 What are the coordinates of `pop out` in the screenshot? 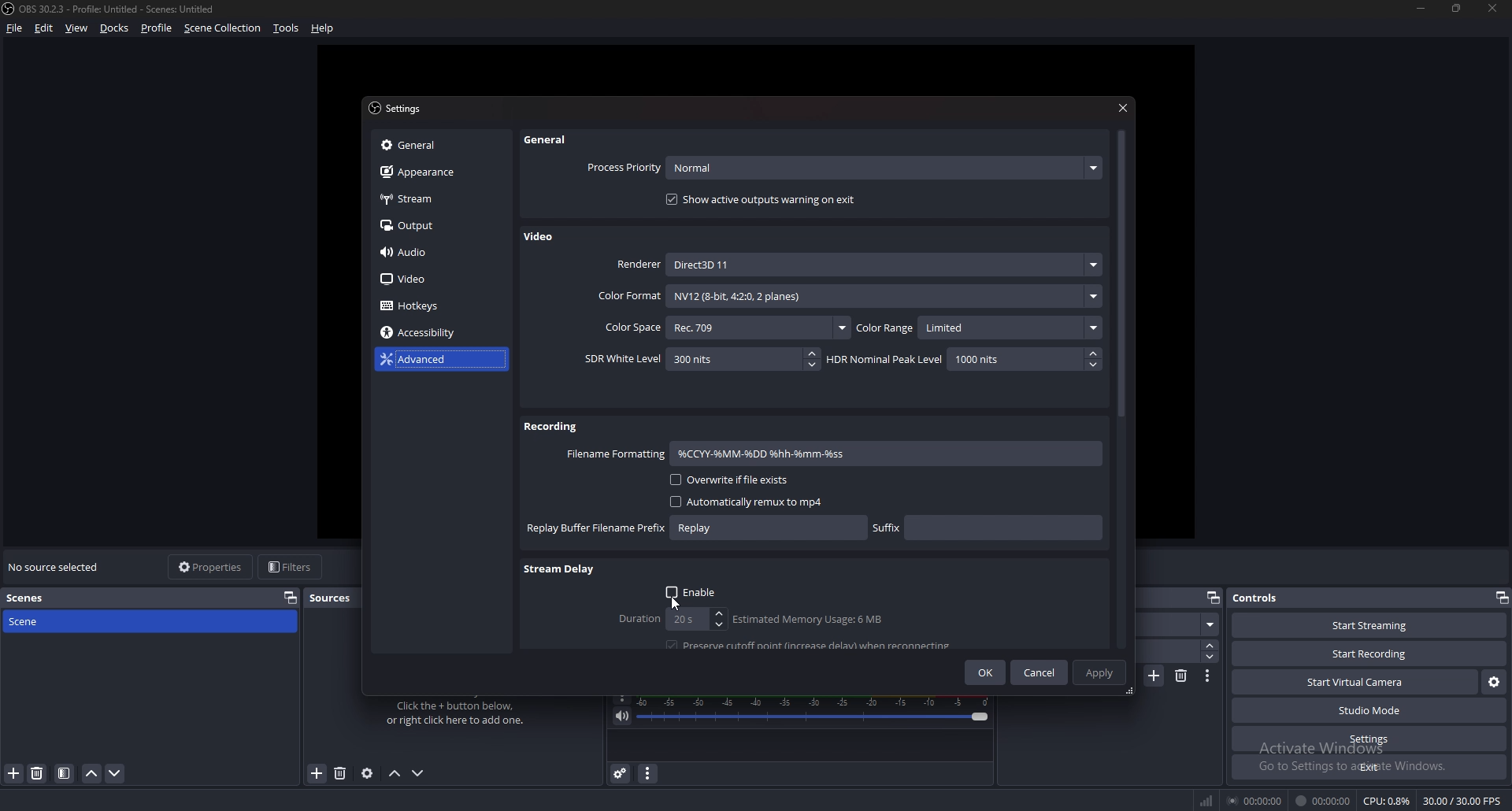 It's located at (1214, 597).